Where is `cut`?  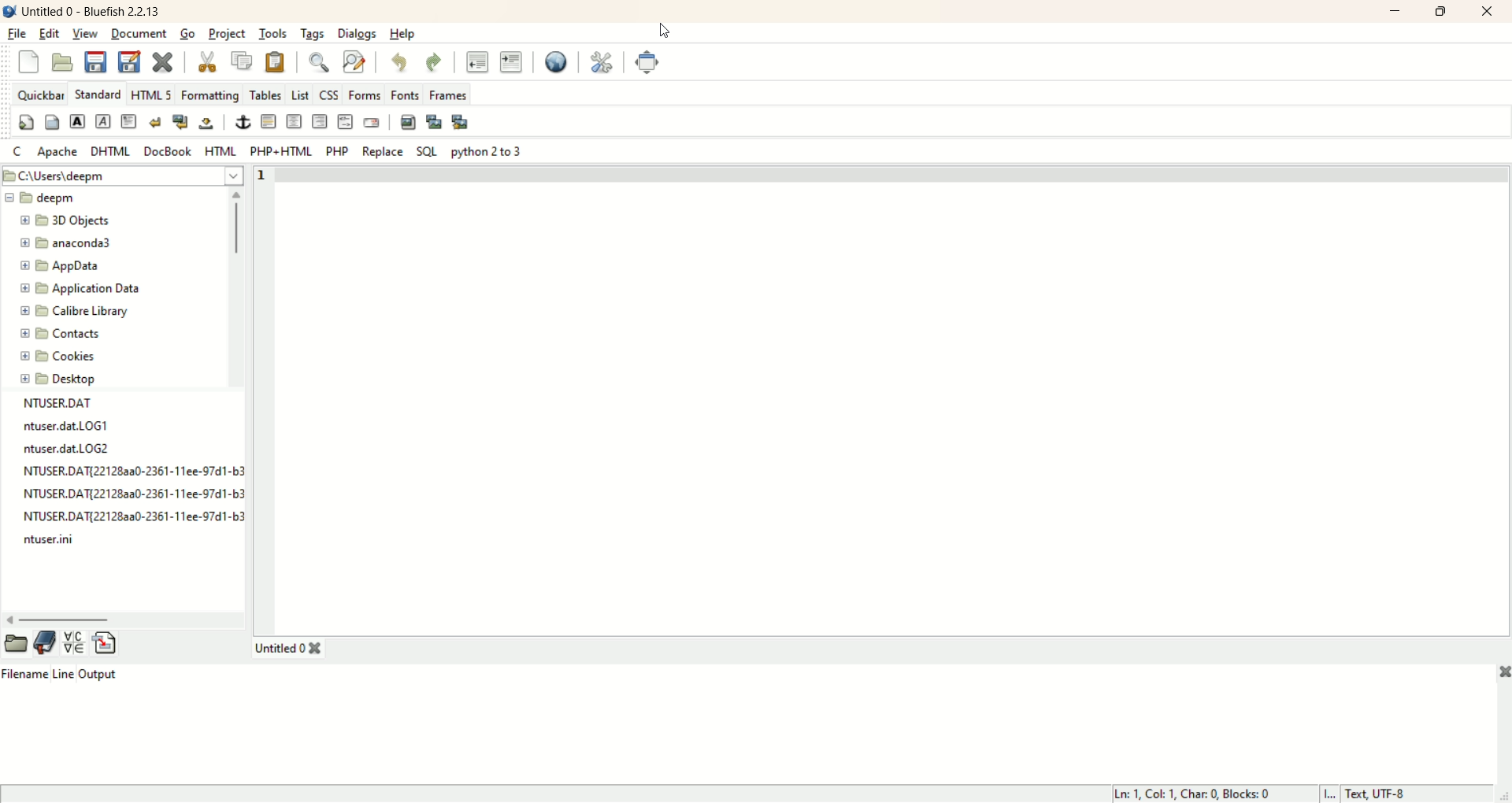 cut is located at coordinates (207, 61).